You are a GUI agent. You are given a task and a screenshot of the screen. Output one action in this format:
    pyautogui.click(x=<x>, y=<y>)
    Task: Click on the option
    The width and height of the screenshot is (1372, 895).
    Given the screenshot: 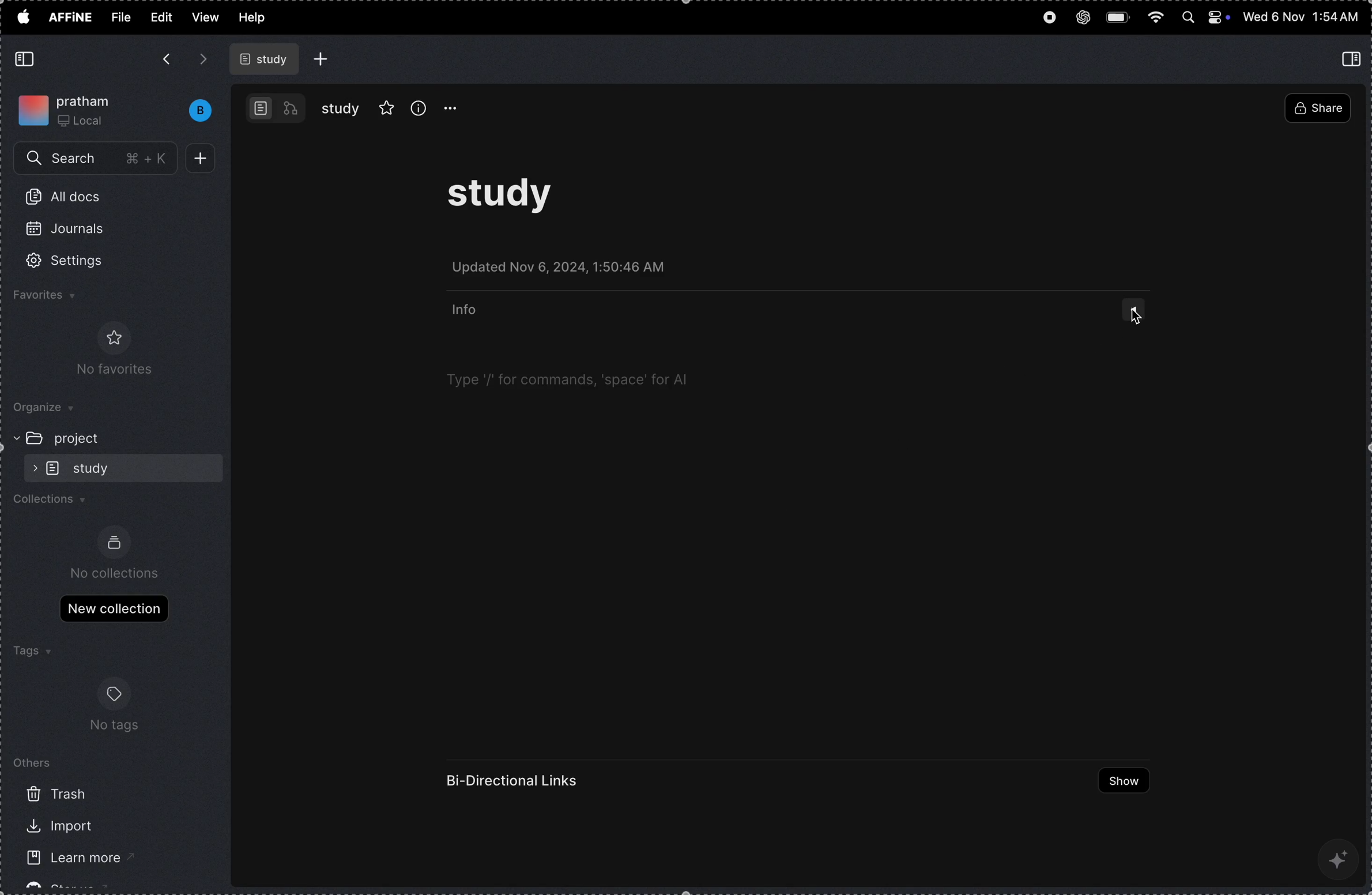 What is the action you would take?
    pyautogui.click(x=457, y=108)
    